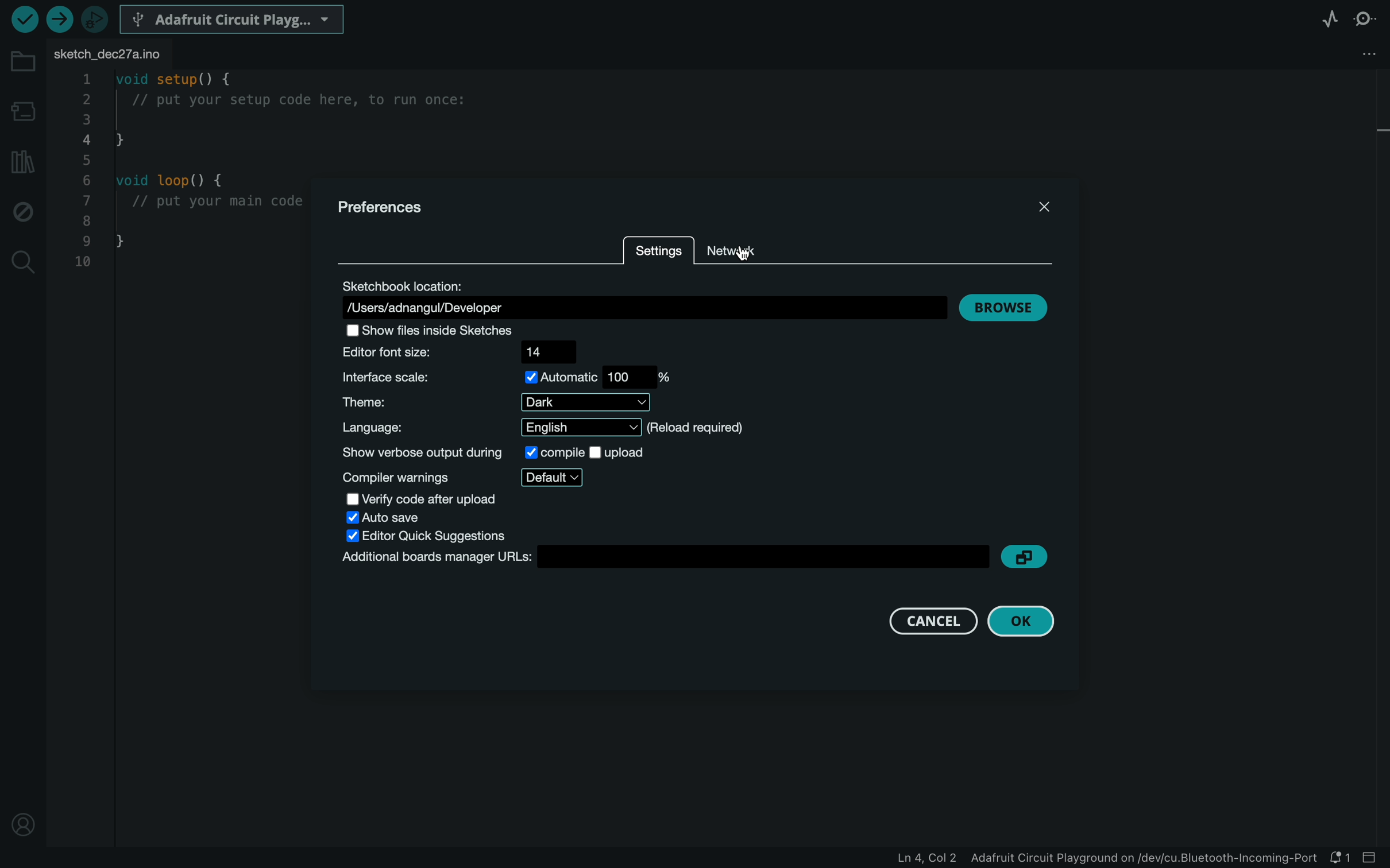  What do you see at coordinates (1028, 557) in the screenshot?
I see `copy` at bounding box center [1028, 557].